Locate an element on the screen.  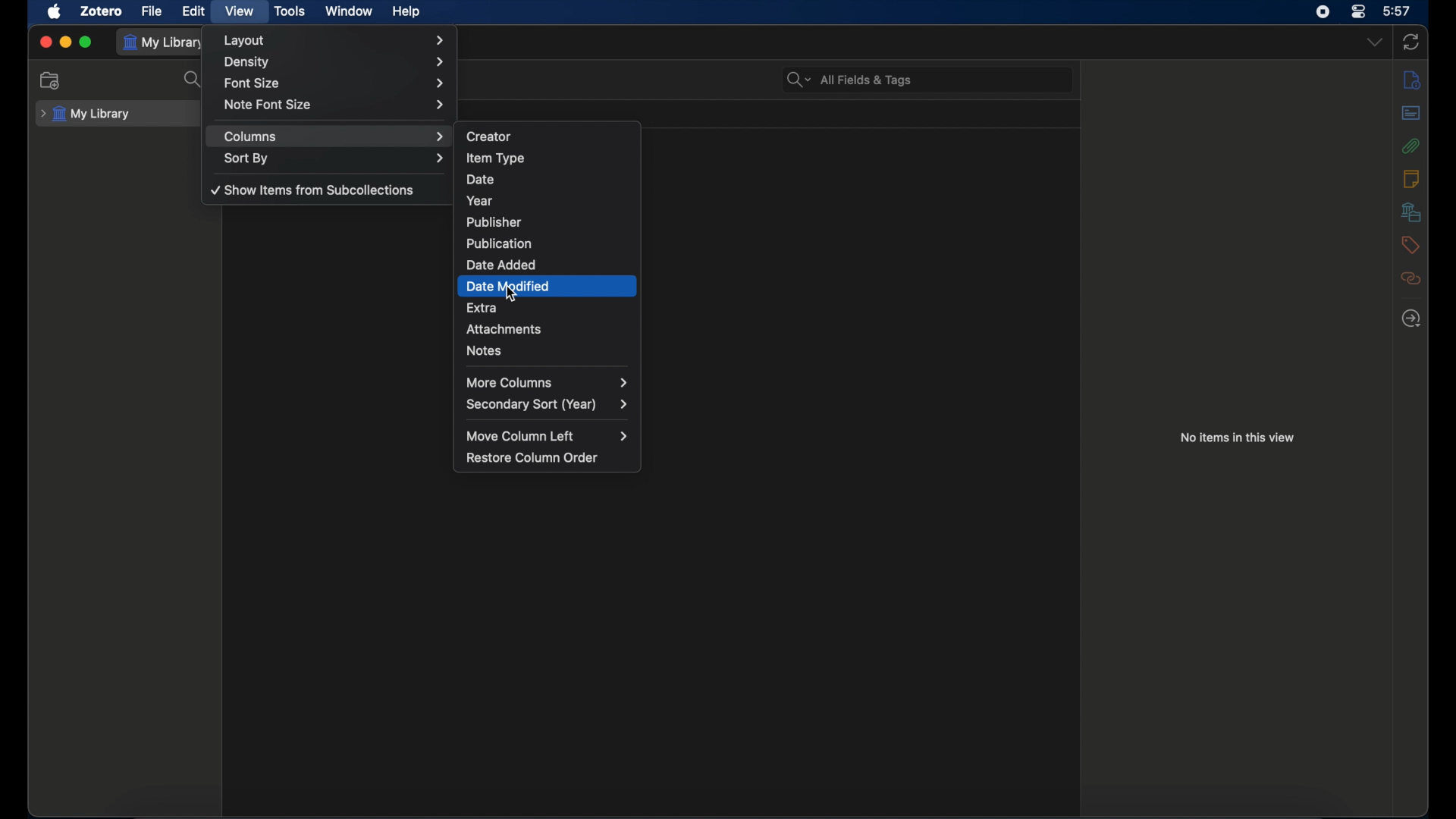
date modified is located at coordinates (549, 285).